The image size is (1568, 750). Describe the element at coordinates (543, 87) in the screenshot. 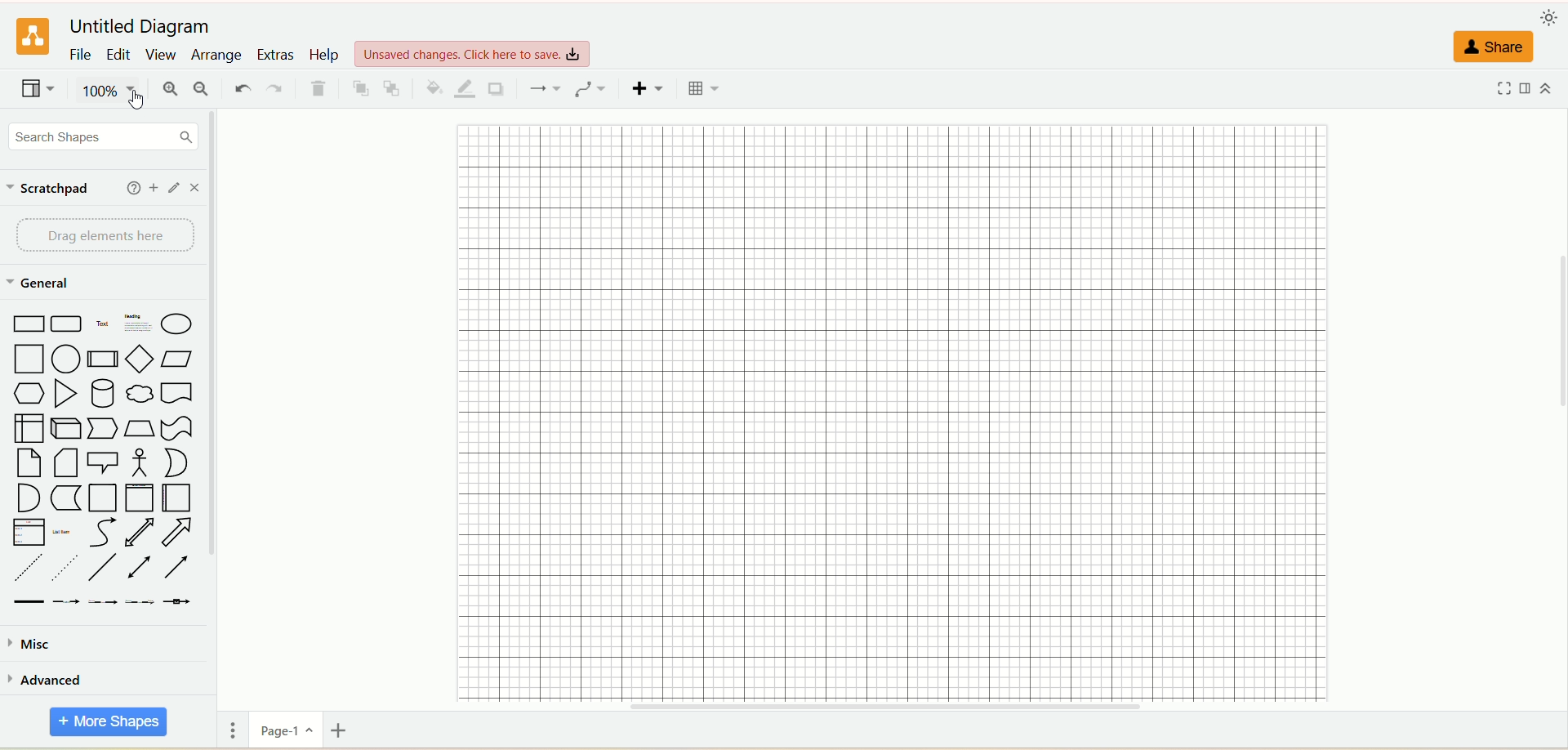

I see `connection` at that location.